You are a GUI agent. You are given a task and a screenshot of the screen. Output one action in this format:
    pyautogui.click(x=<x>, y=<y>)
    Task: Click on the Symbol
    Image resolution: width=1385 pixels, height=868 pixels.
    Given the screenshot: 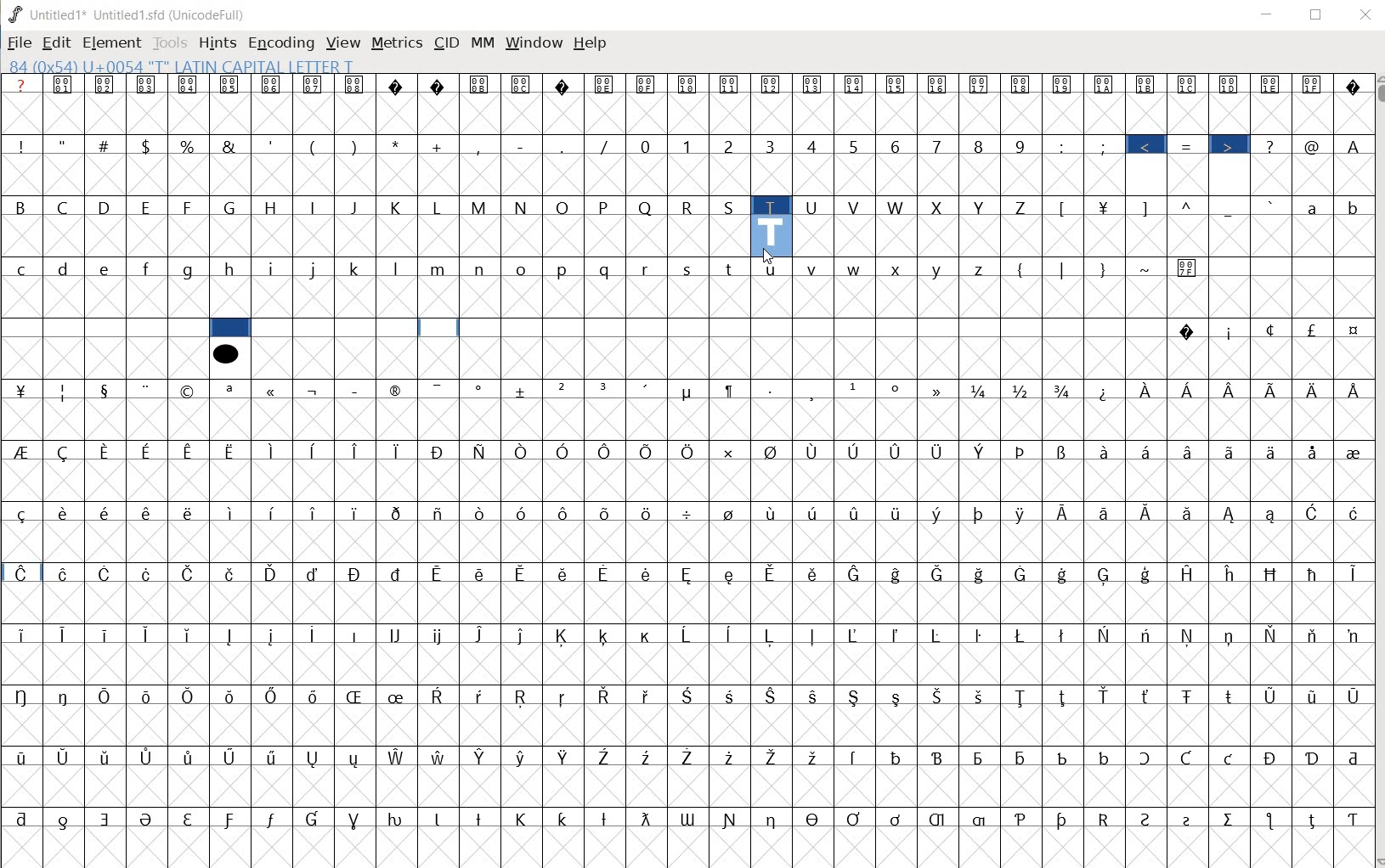 What is the action you would take?
    pyautogui.click(x=148, y=85)
    